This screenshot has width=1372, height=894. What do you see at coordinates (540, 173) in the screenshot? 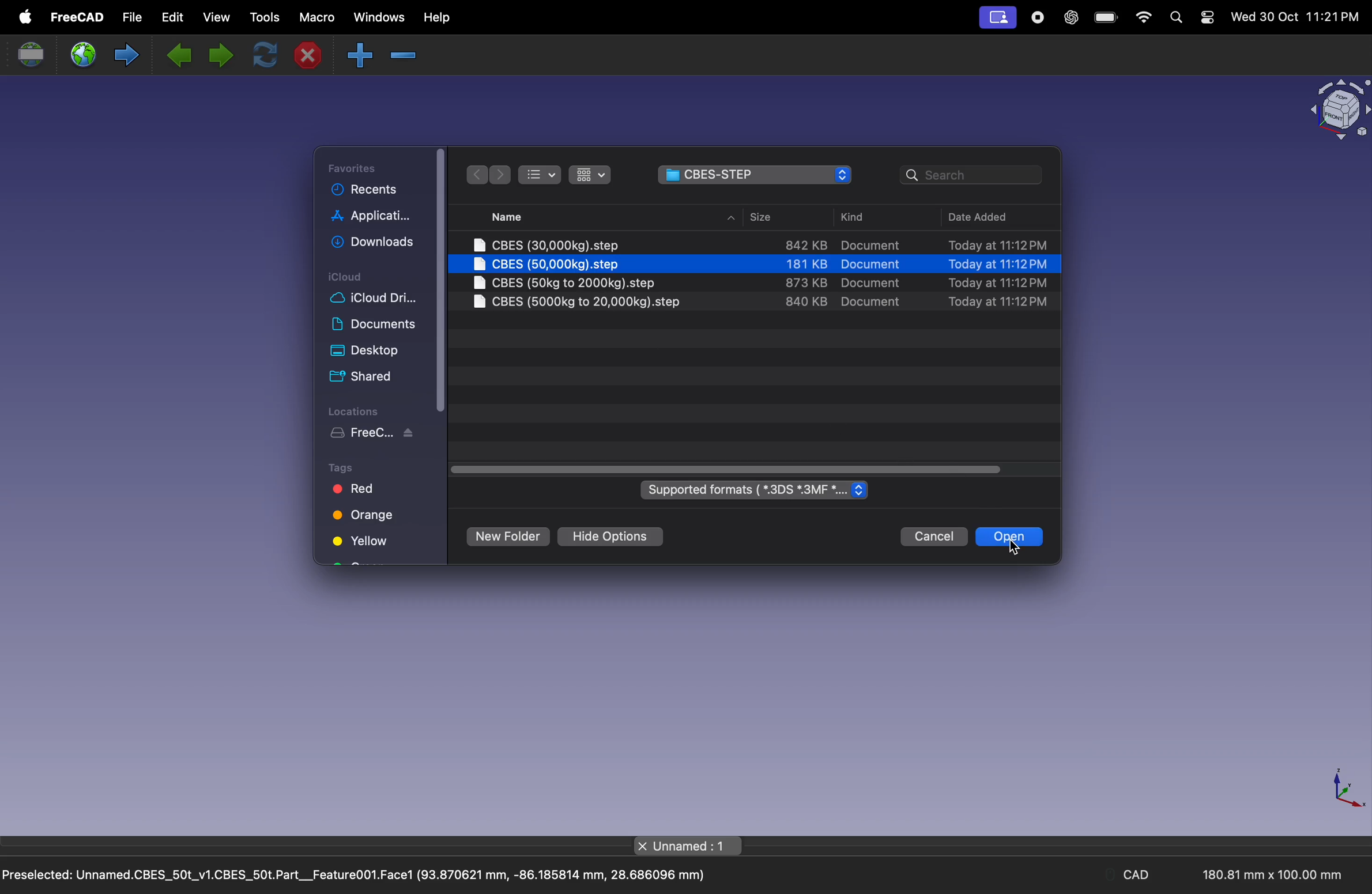
I see `numbered list` at bounding box center [540, 173].